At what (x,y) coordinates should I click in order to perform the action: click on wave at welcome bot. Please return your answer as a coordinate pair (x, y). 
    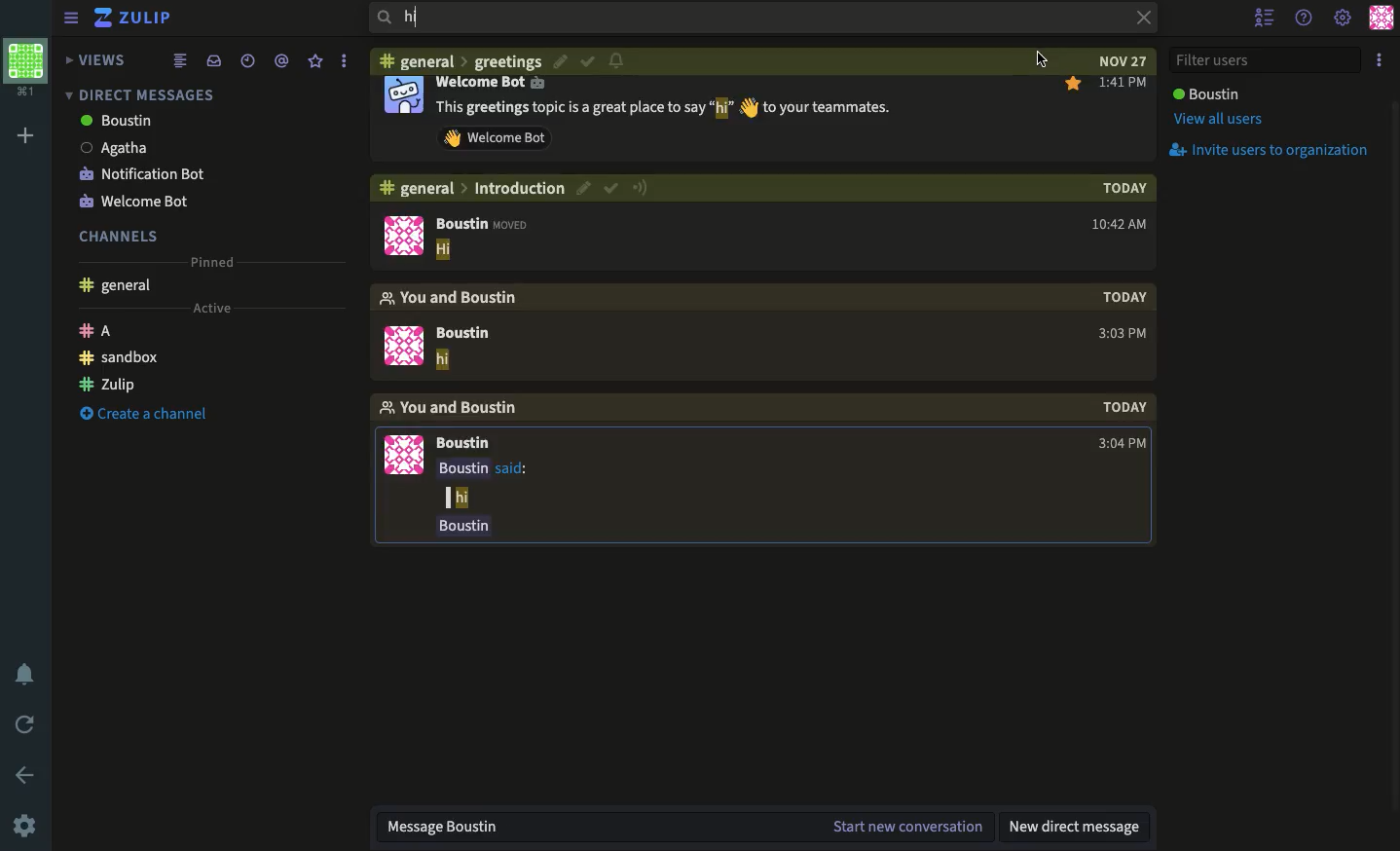
    Looking at the image, I should click on (496, 137).